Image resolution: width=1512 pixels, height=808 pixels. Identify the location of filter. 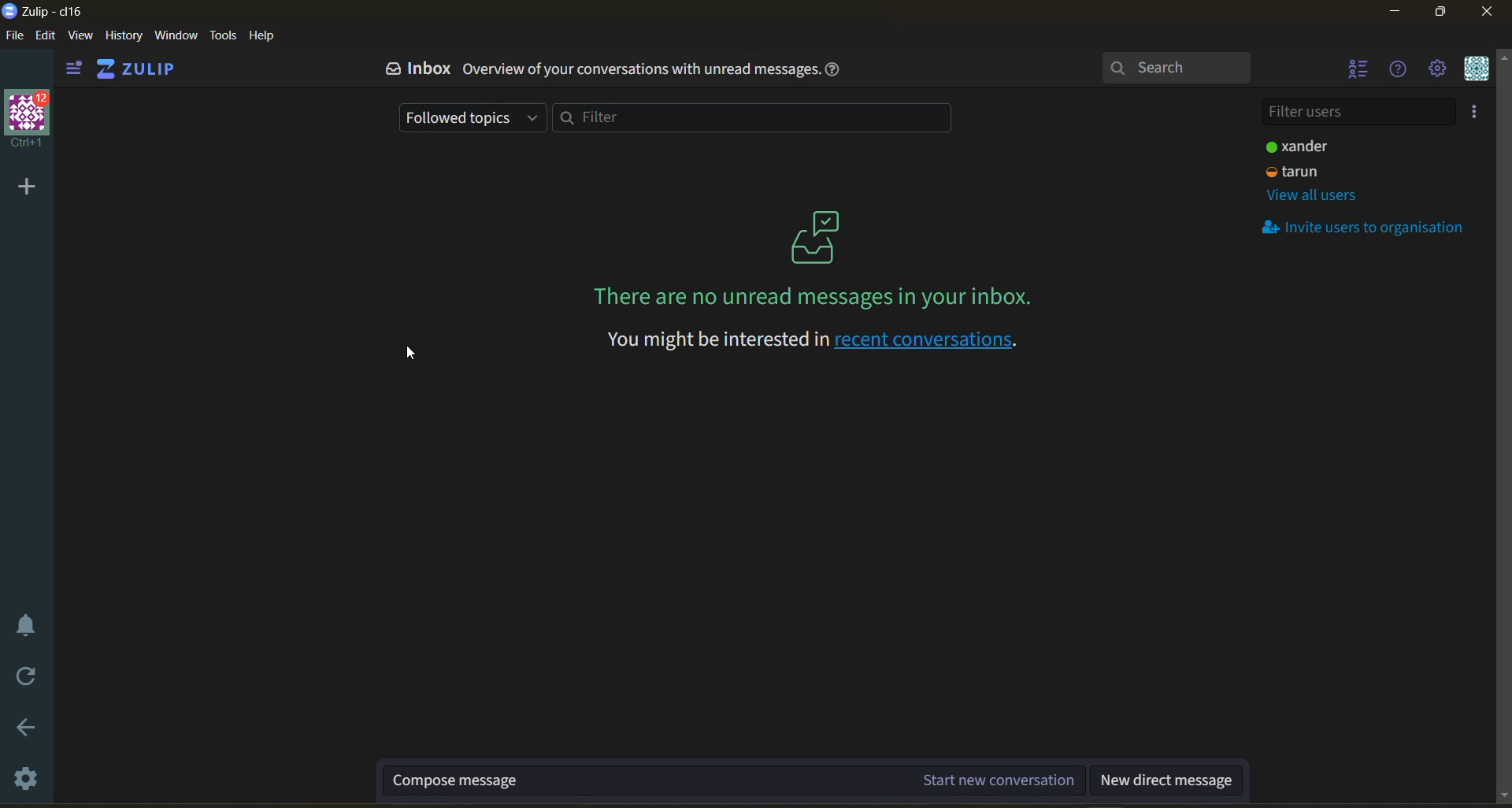
(760, 118).